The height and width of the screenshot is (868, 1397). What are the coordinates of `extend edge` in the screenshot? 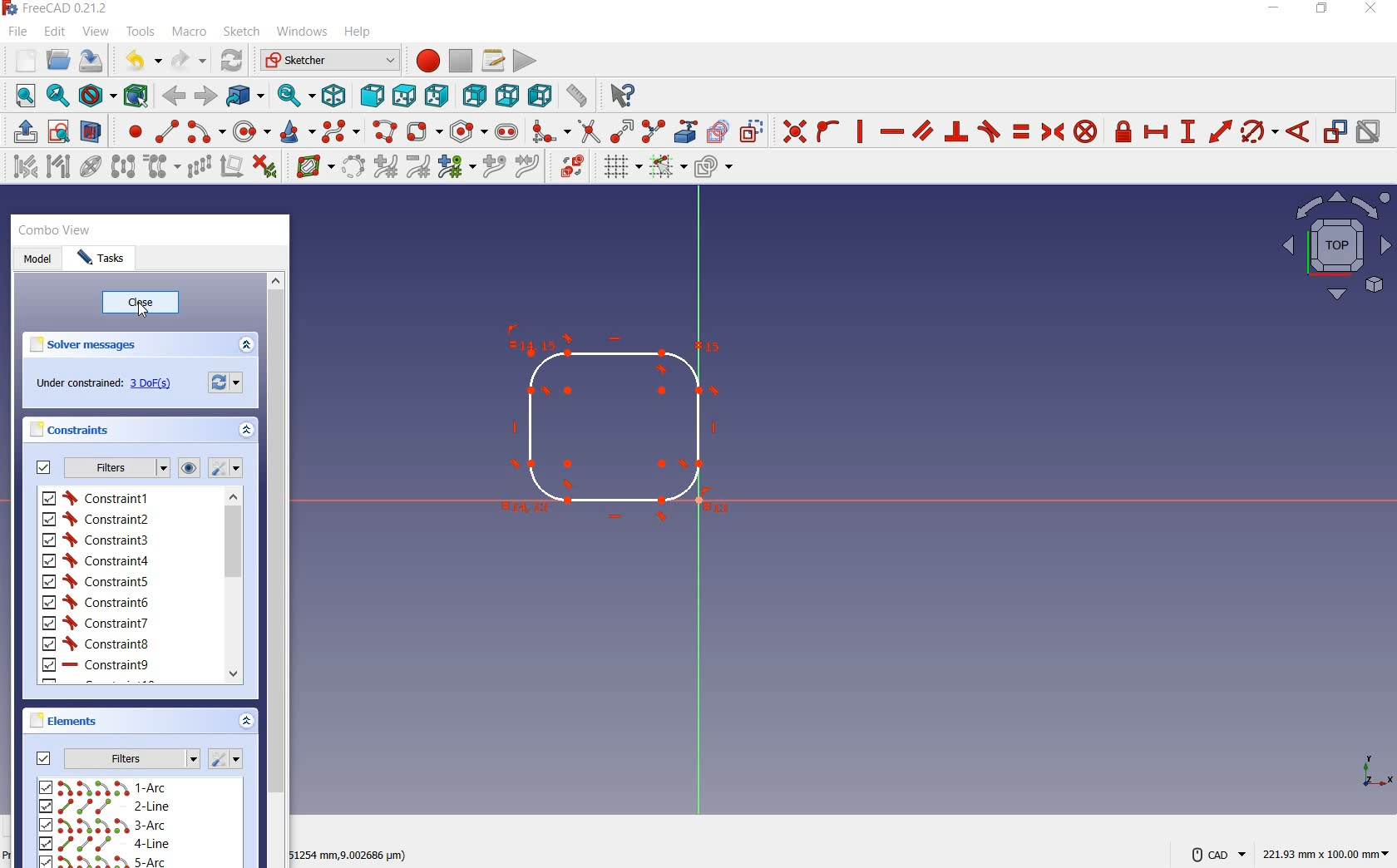 It's located at (622, 132).